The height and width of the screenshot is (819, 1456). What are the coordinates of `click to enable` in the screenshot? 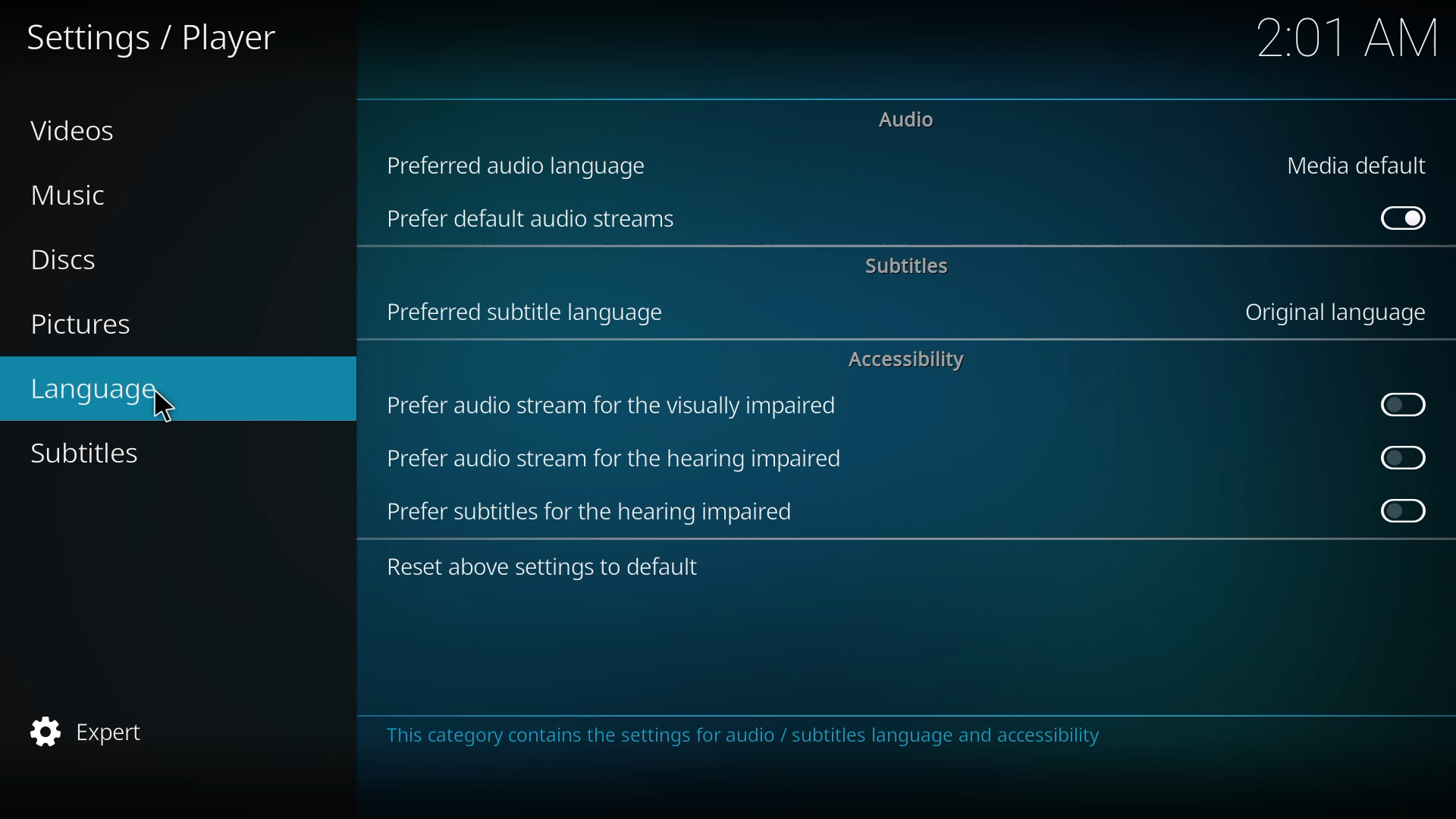 It's located at (1398, 457).